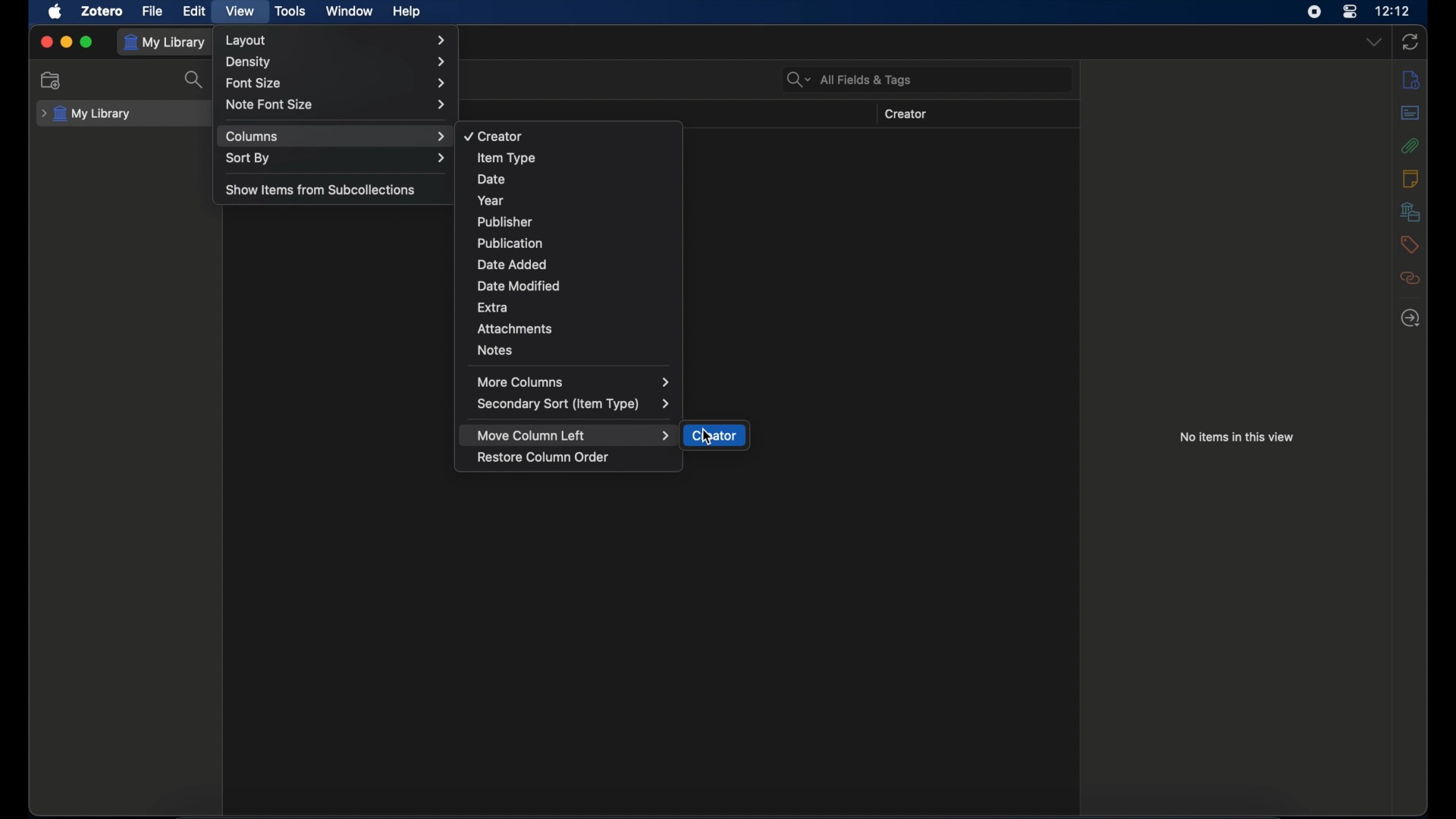 This screenshot has width=1456, height=819. Describe the element at coordinates (507, 158) in the screenshot. I see `item type` at that location.